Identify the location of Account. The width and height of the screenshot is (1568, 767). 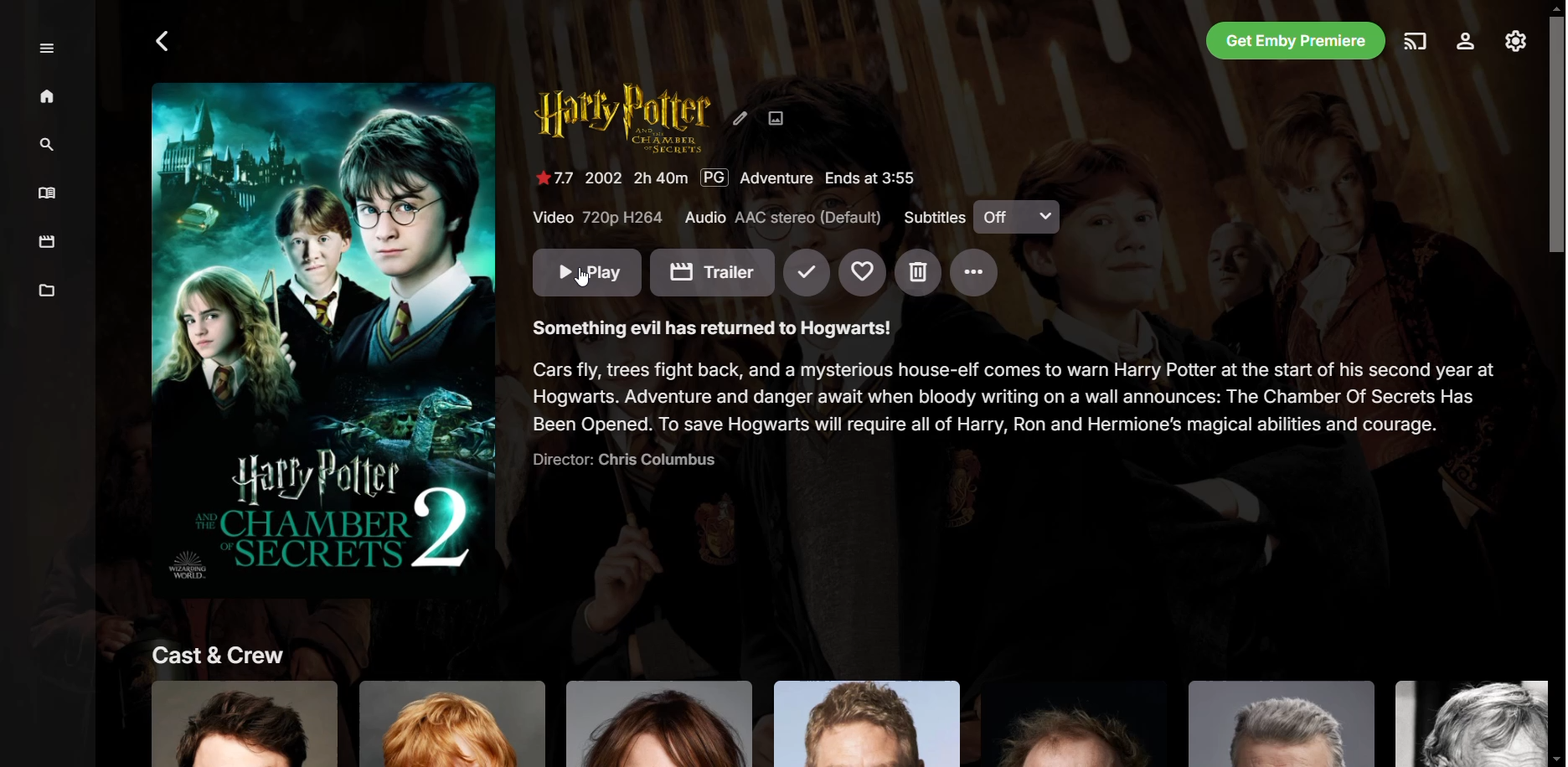
(1466, 42).